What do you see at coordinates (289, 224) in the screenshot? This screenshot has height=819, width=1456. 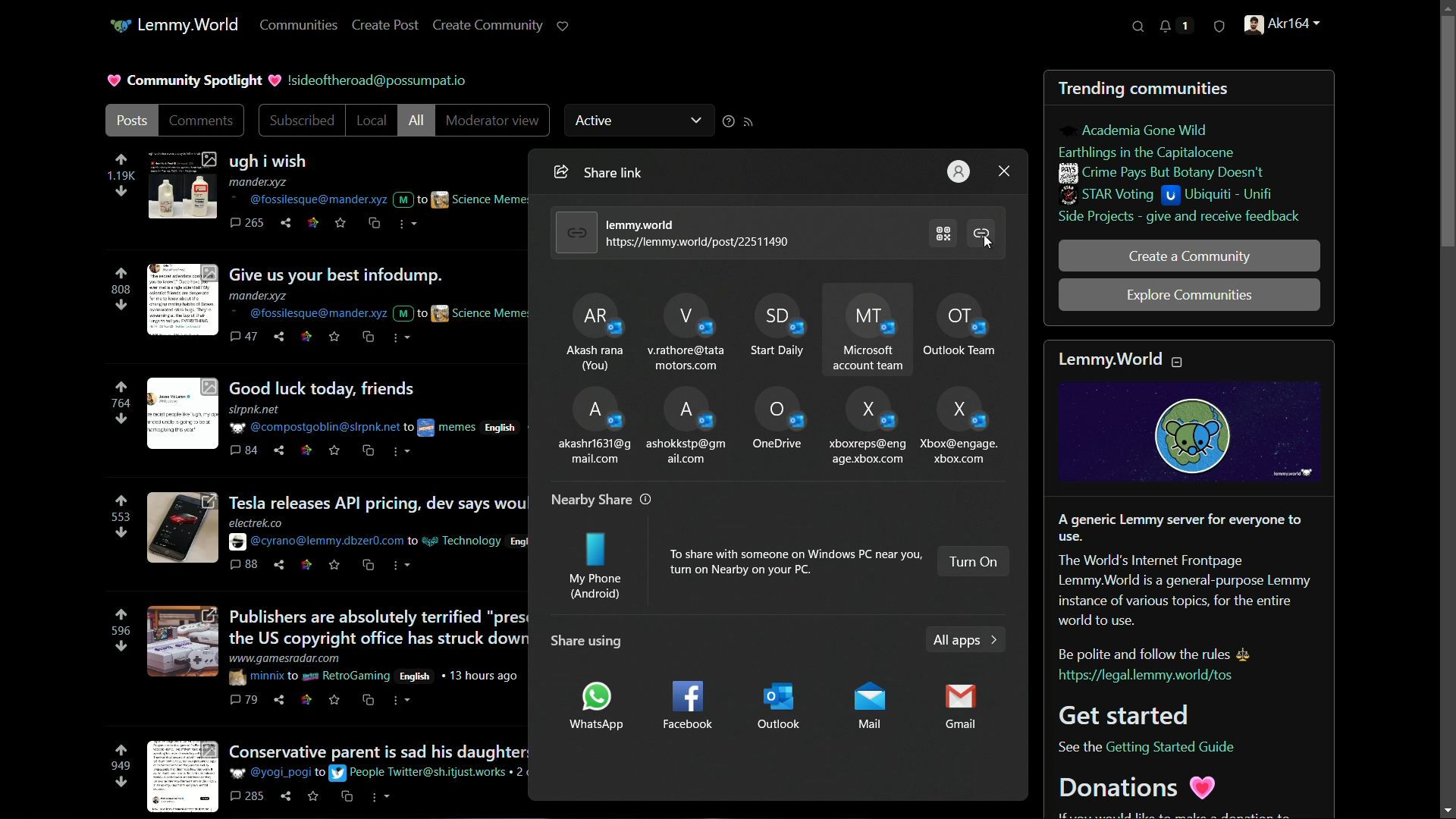 I see `share` at bounding box center [289, 224].